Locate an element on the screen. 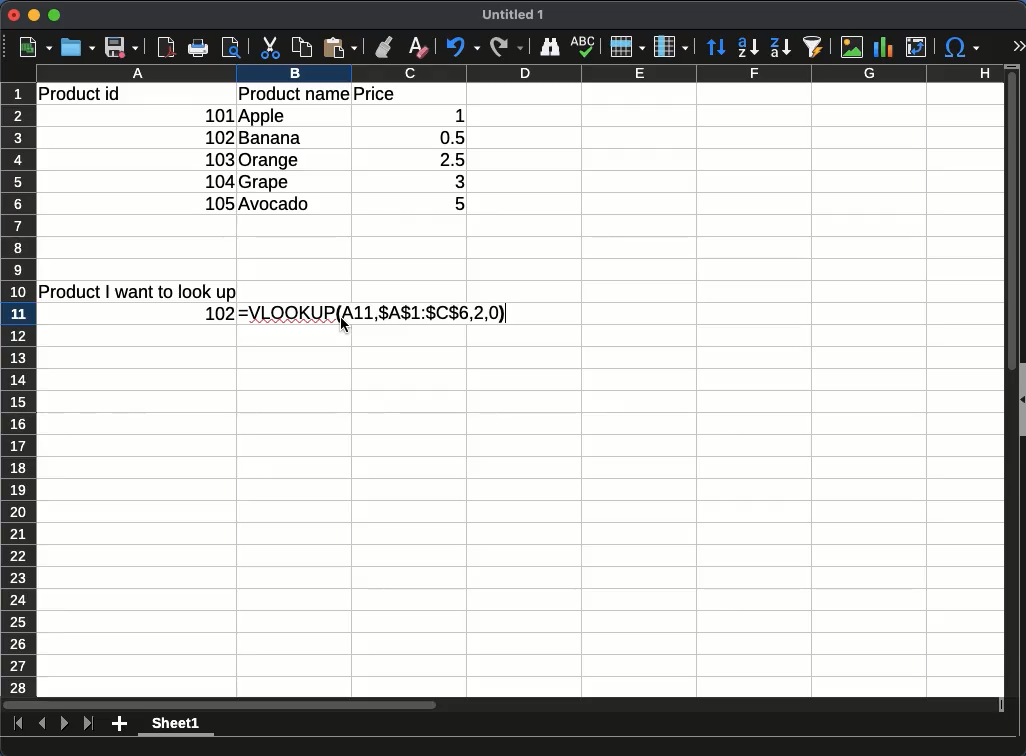 This screenshot has width=1026, height=756. print preview is located at coordinates (231, 48).